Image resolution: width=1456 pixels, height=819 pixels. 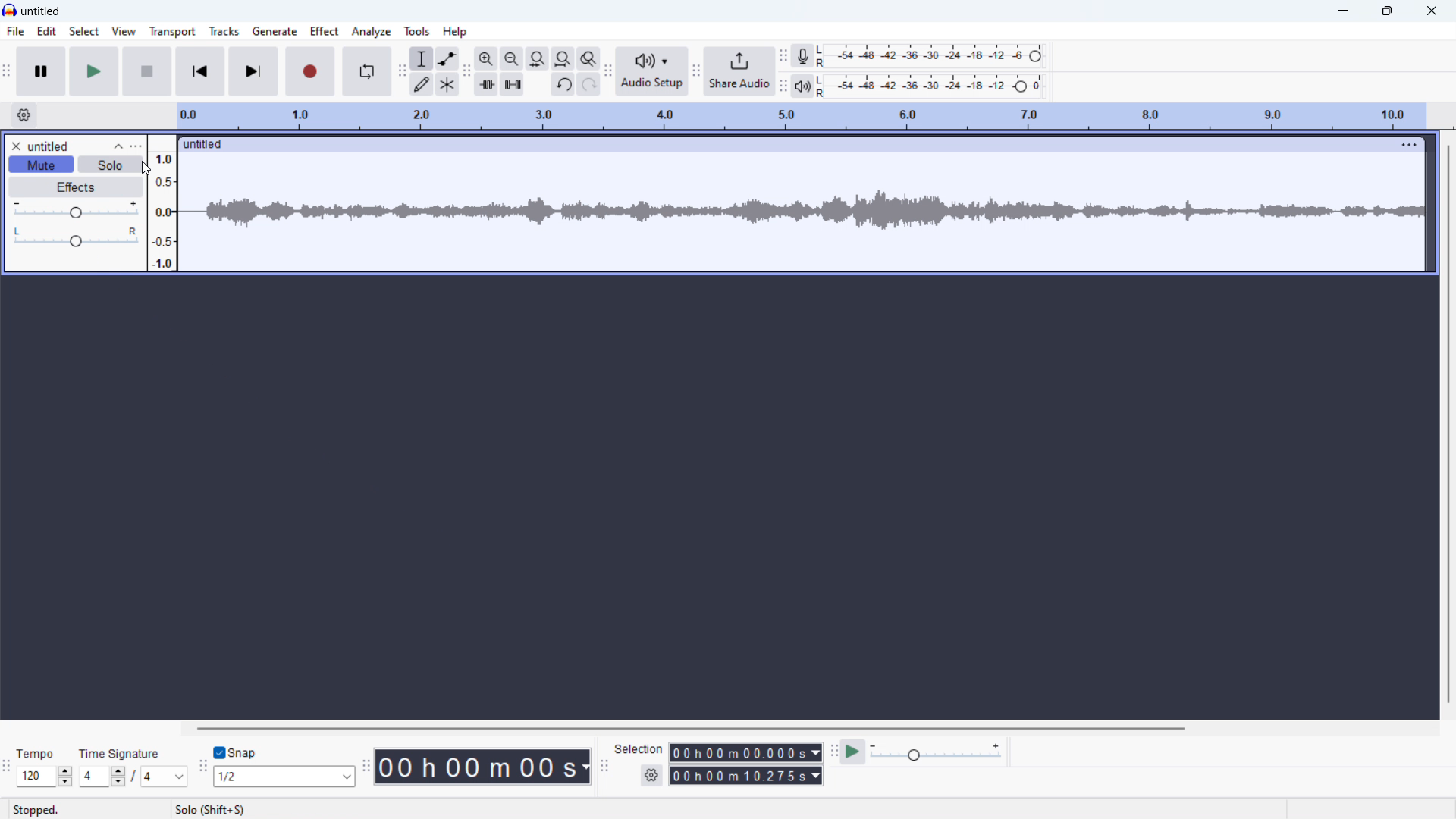 What do you see at coordinates (563, 58) in the screenshot?
I see `fit project to width` at bounding box center [563, 58].